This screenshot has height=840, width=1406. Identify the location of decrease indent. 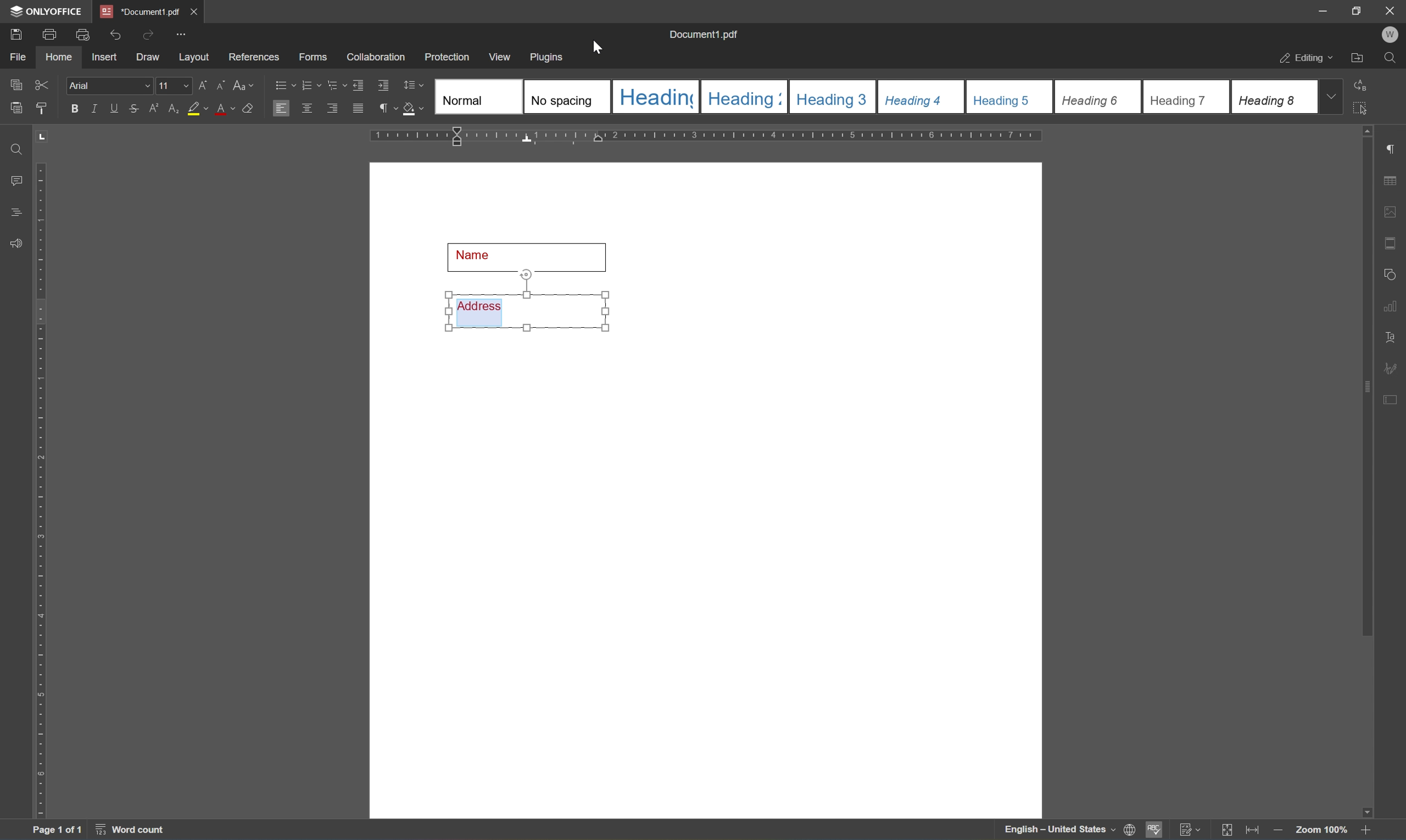
(358, 84).